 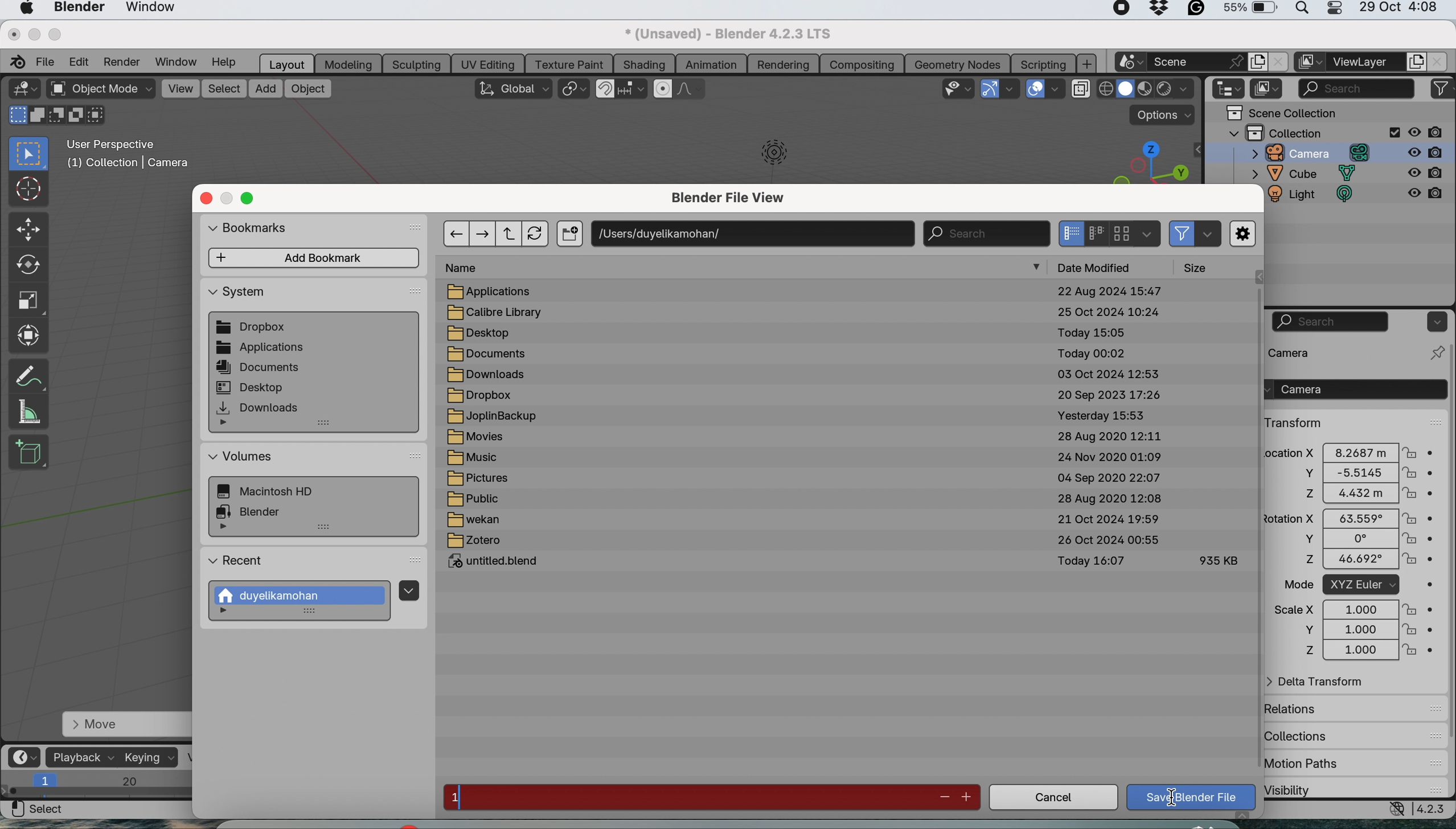 I want to click on render, so click(x=125, y=61).